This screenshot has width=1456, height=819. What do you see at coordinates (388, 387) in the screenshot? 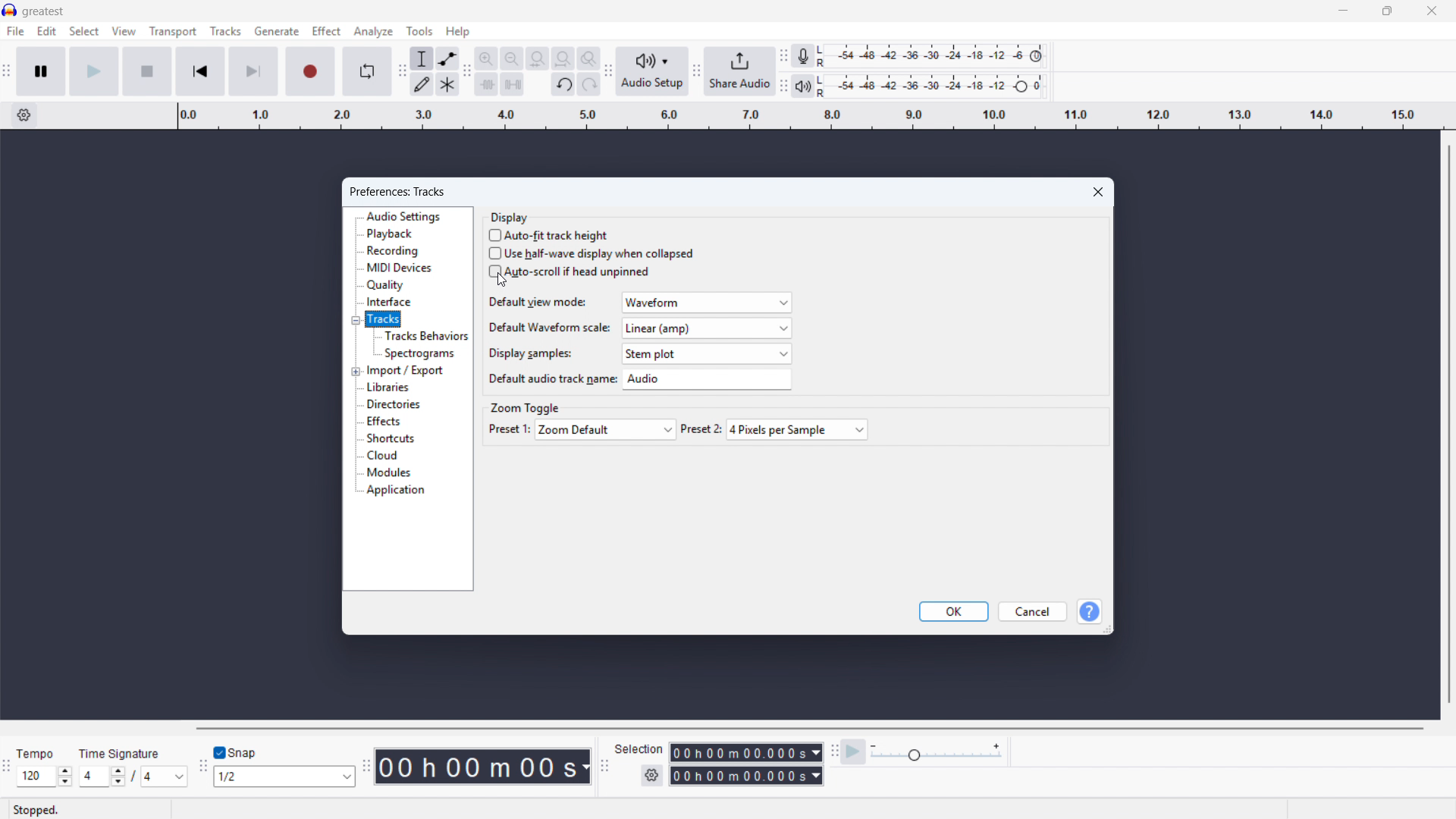
I see `Libraries ` at bounding box center [388, 387].